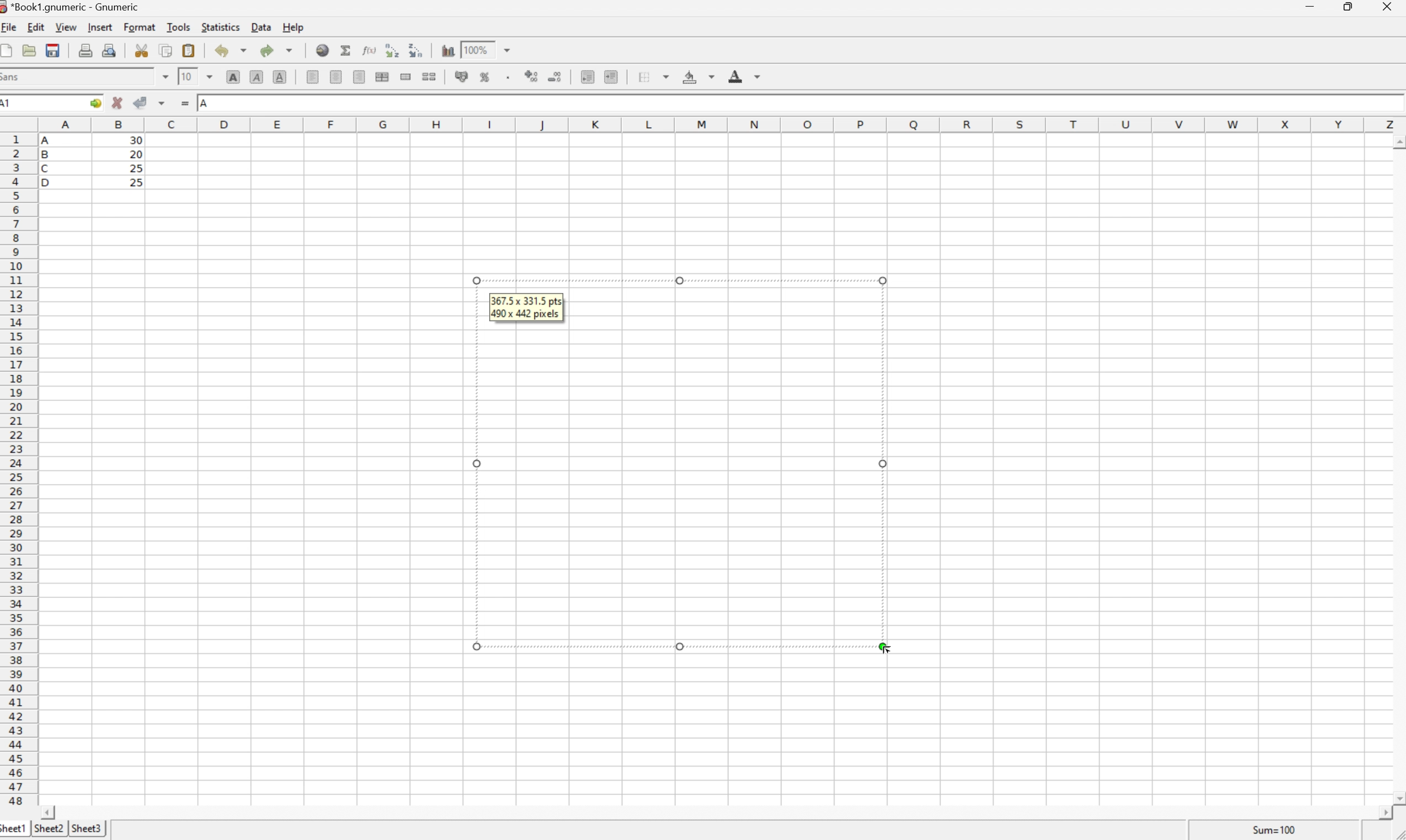 Image resolution: width=1406 pixels, height=840 pixels. I want to click on Cursor, so click(887, 652).